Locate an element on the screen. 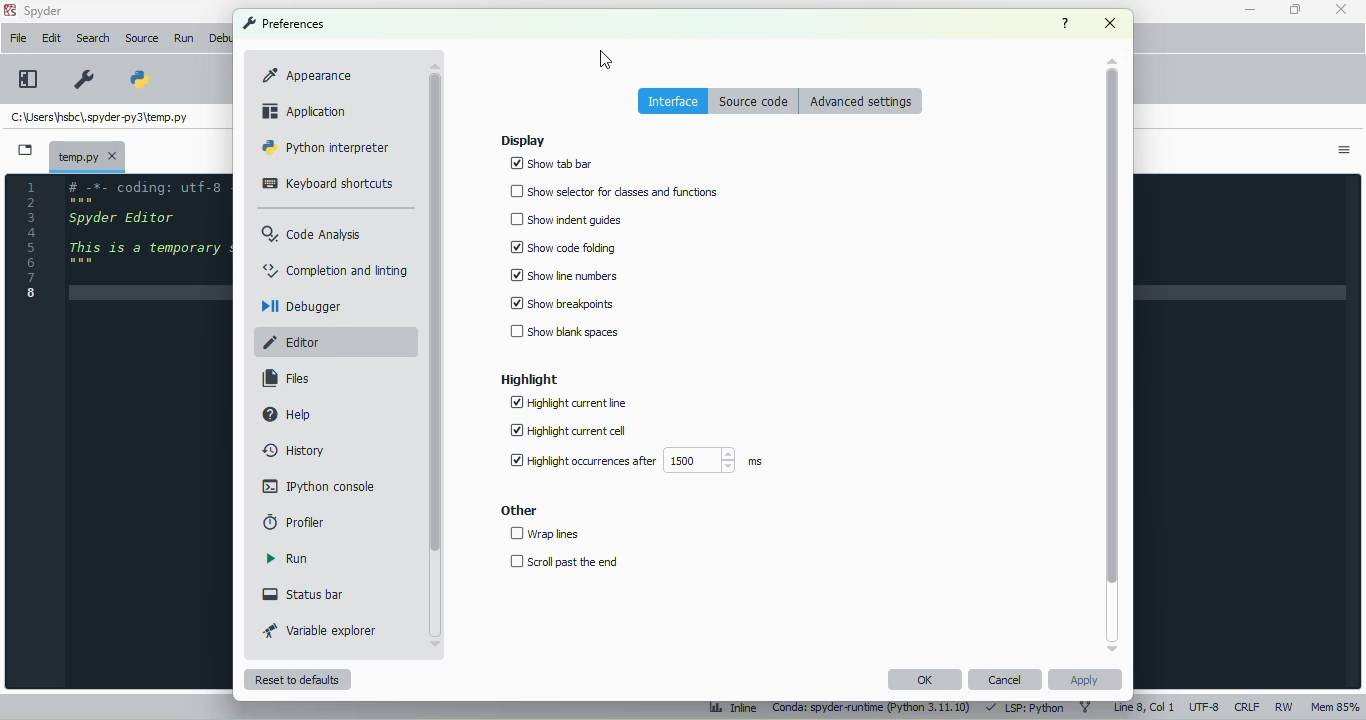  Apply is located at coordinates (1085, 680).